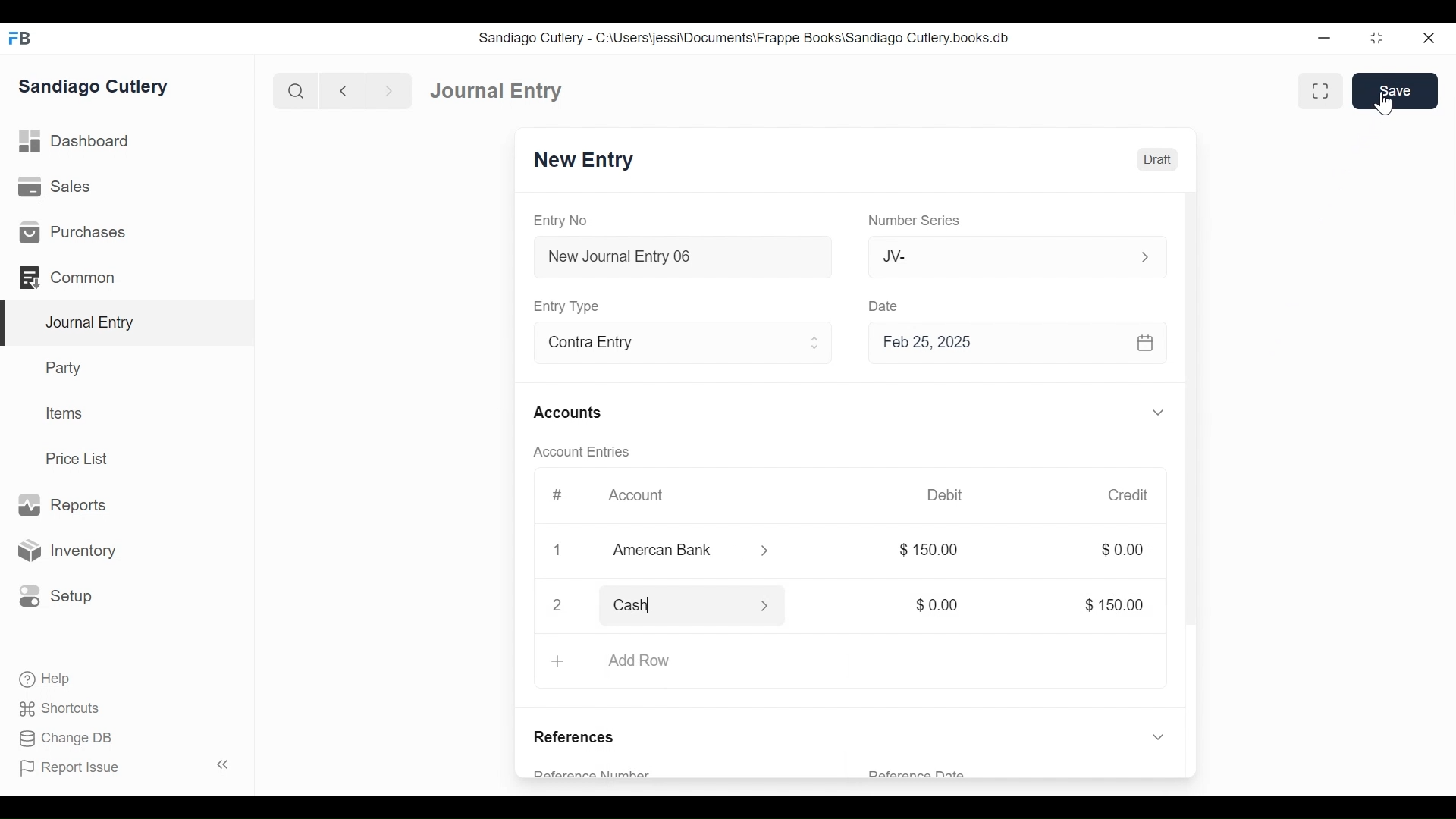  What do you see at coordinates (917, 221) in the screenshot?
I see `Number Series` at bounding box center [917, 221].